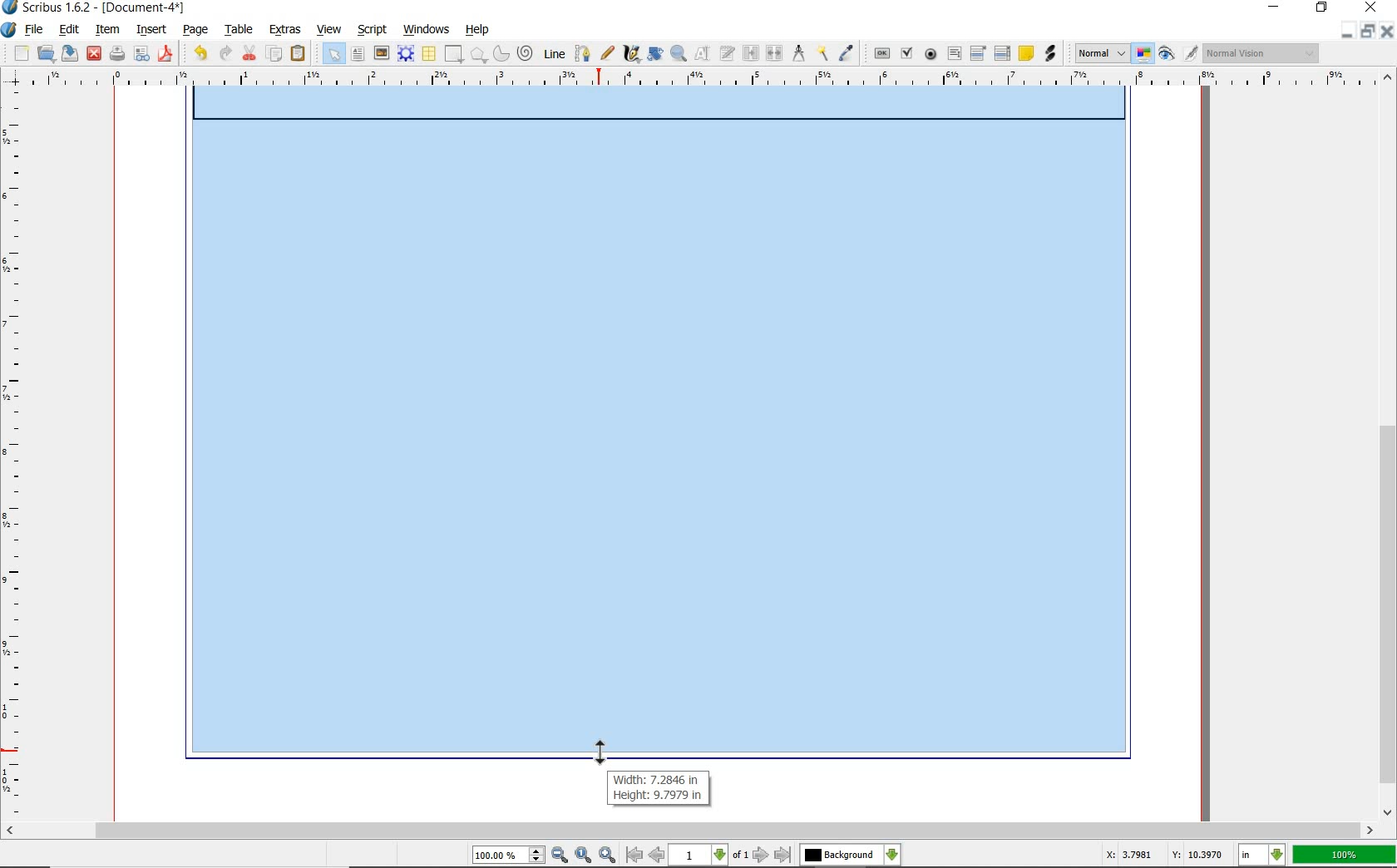 The width and height of the screenshot is (1397, 868). I want to click on 1, so click(699, 856).